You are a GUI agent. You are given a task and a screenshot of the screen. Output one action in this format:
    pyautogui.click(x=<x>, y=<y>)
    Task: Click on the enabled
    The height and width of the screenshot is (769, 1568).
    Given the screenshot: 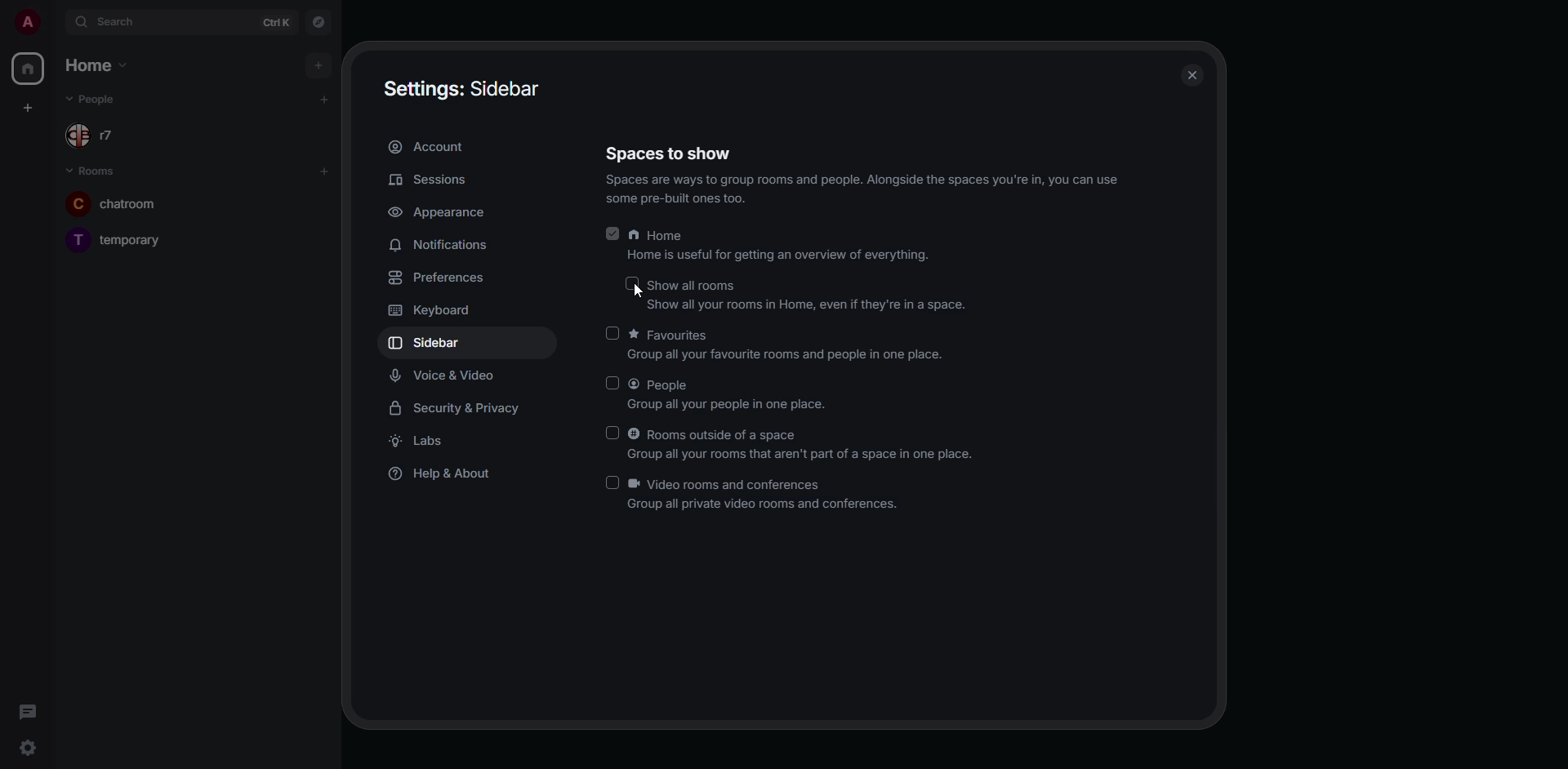 What is the action you would take?
    pyautogui.click(x=611, y=233)
    